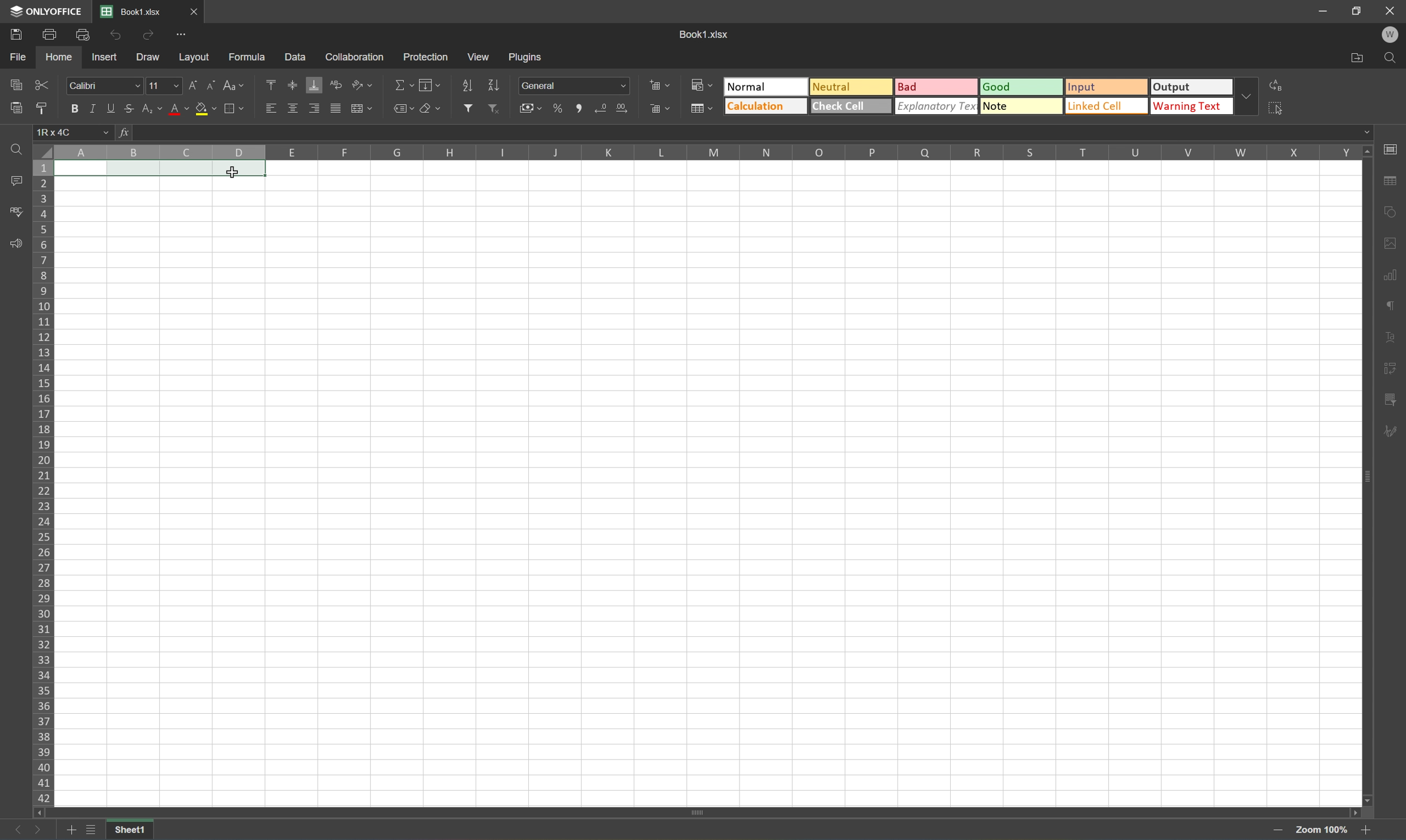 This screenshot has height=840, width=1406. I want to click on Align bottom, so click(314, 84).